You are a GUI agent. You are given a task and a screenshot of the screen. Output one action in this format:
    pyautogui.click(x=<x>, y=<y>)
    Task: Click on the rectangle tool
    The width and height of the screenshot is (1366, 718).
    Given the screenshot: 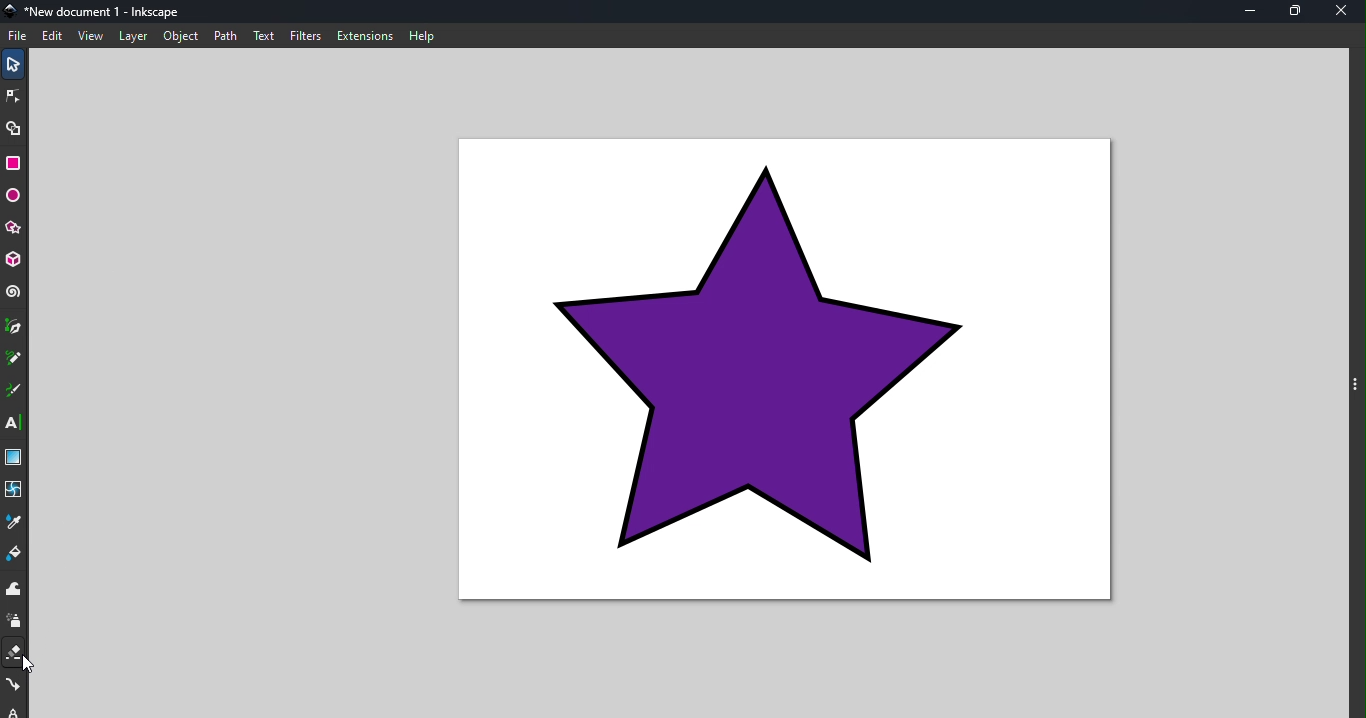 What is the action you would take?
    pyautogui.click(x=14, y=162)
    